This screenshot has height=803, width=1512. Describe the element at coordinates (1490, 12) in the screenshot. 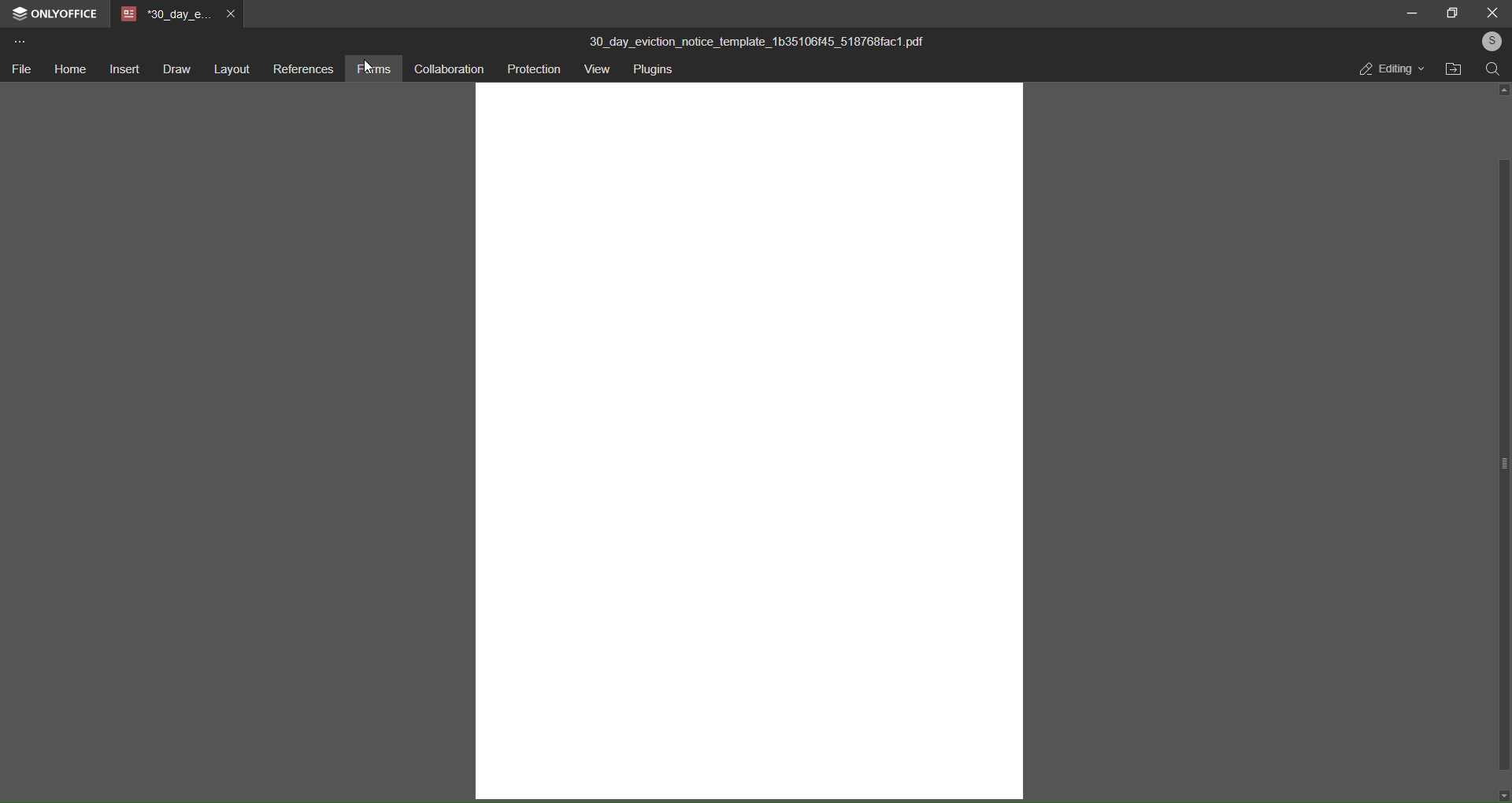

I see `close` at that location.